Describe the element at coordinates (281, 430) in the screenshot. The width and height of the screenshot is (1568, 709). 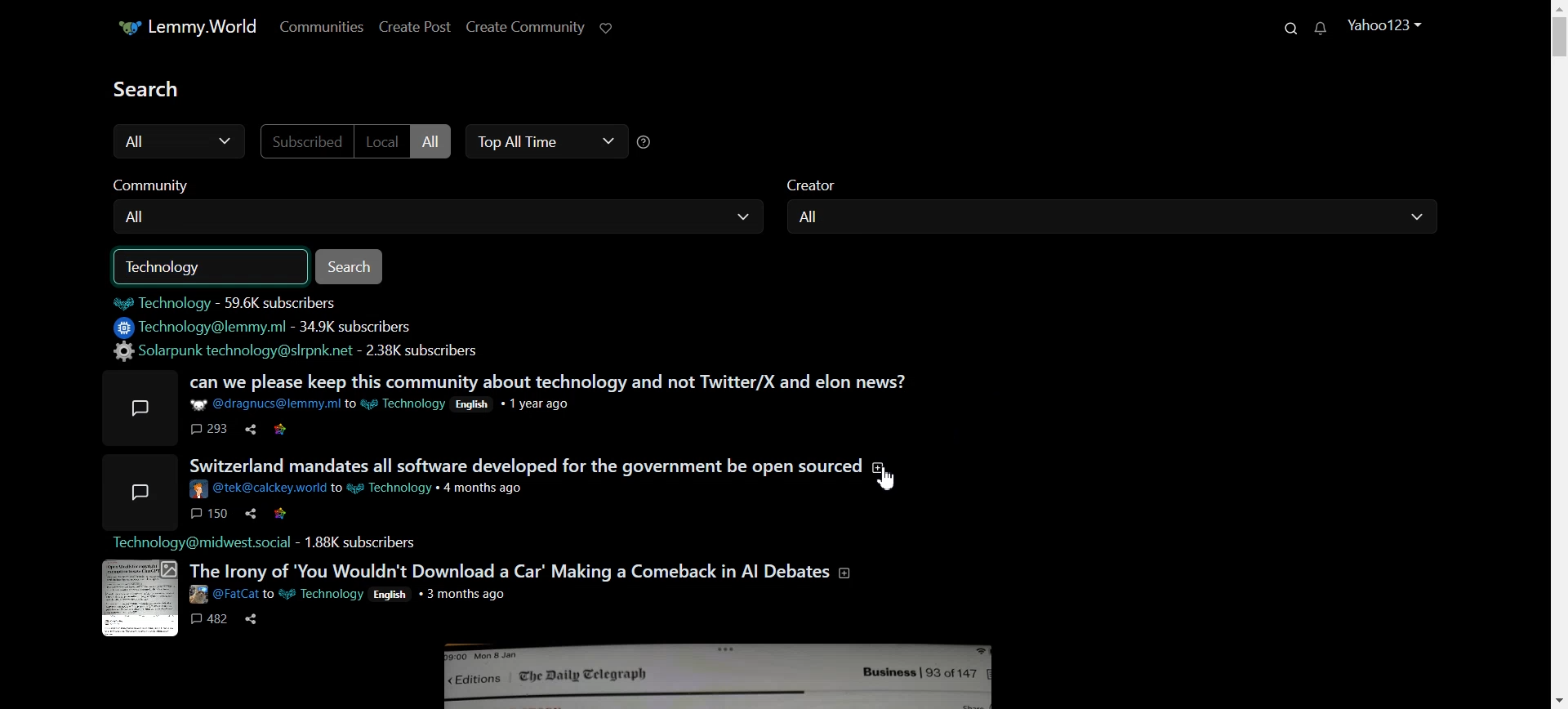
I see `starred` at that location.